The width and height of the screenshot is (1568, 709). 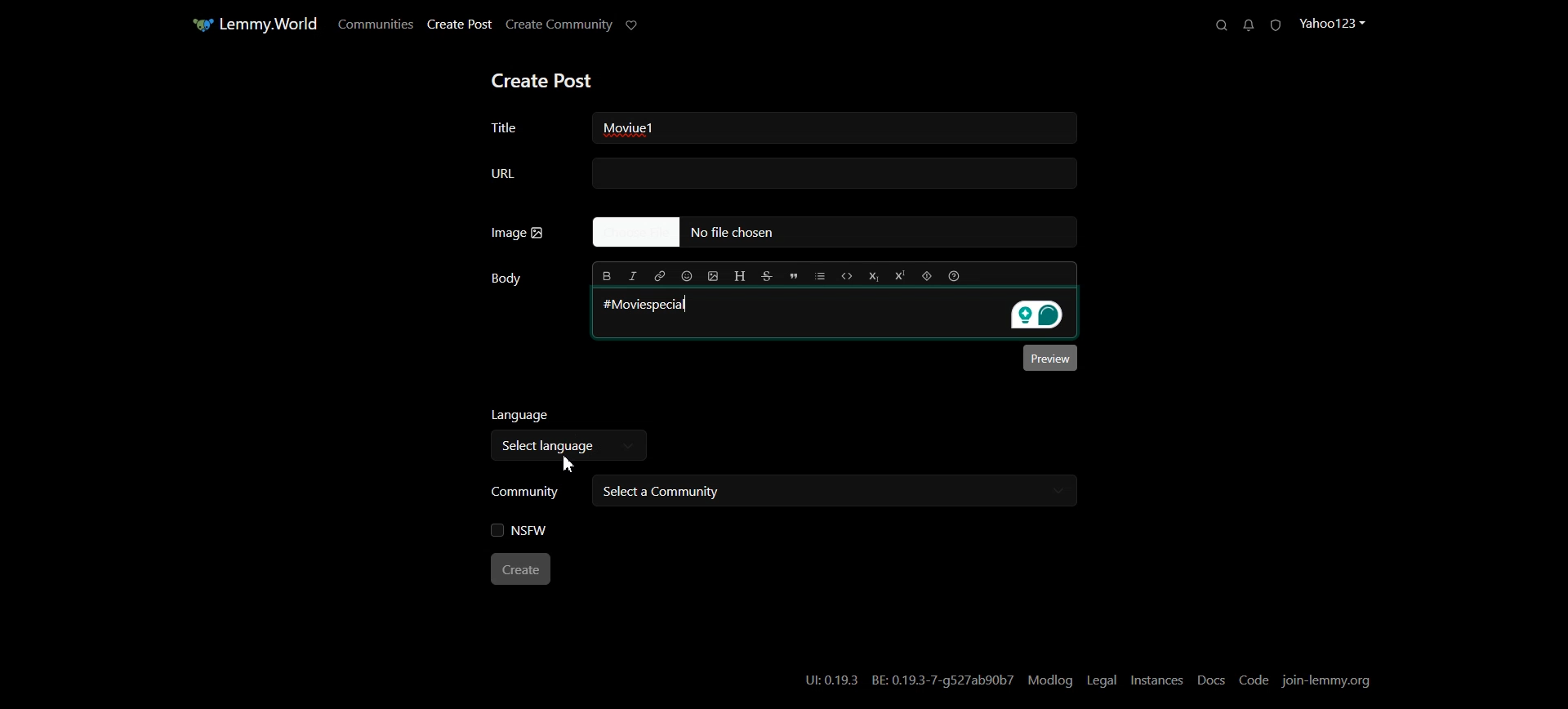 I want to click on URL, so click(x=780, y=174).